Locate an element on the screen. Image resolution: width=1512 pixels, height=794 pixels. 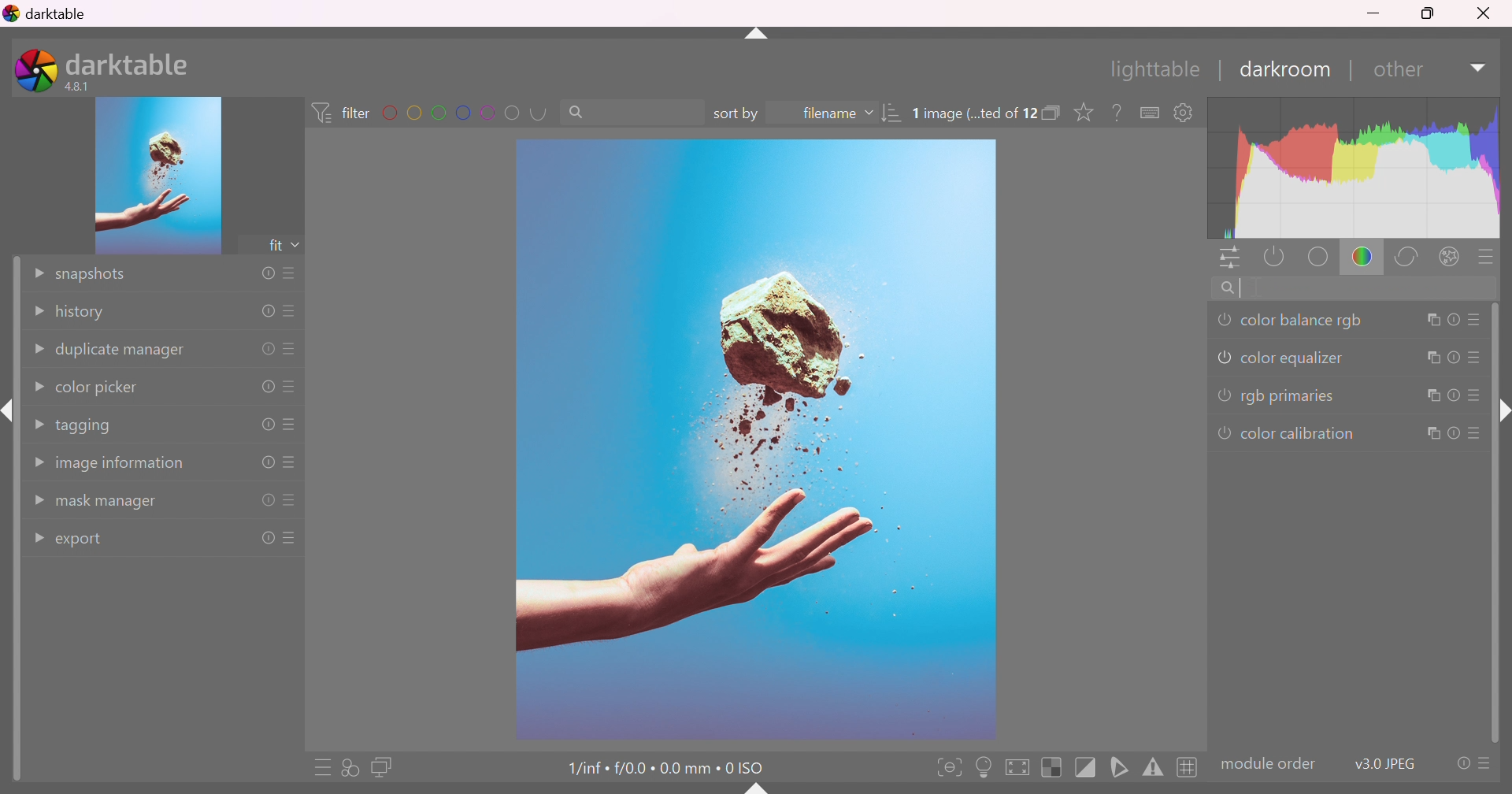
presets is located at coordinates (292, 311).